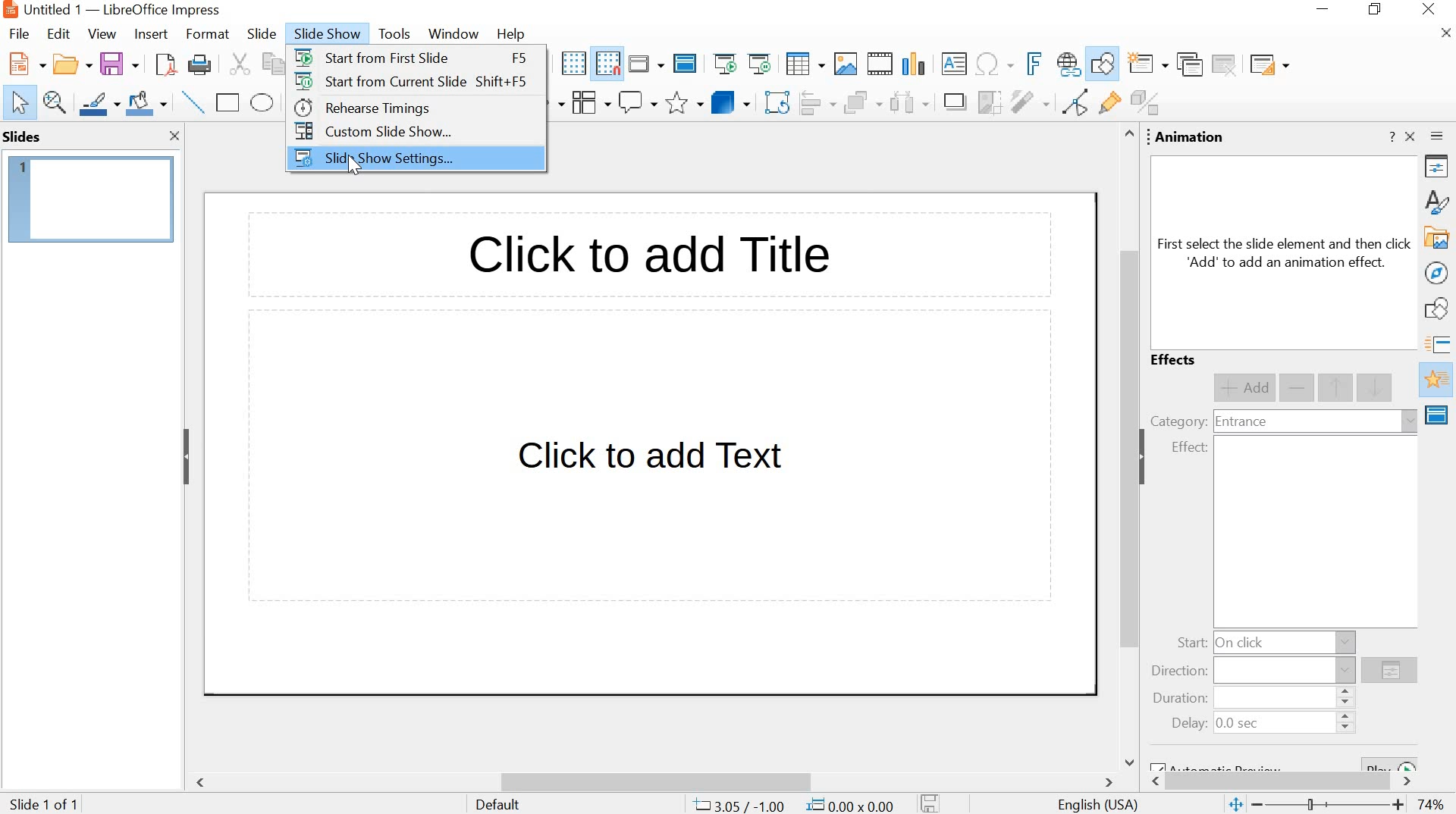  What do you see at coordinates (149, 104) in the screenshot?
I see `fill color` at bounding box center [149, 104].